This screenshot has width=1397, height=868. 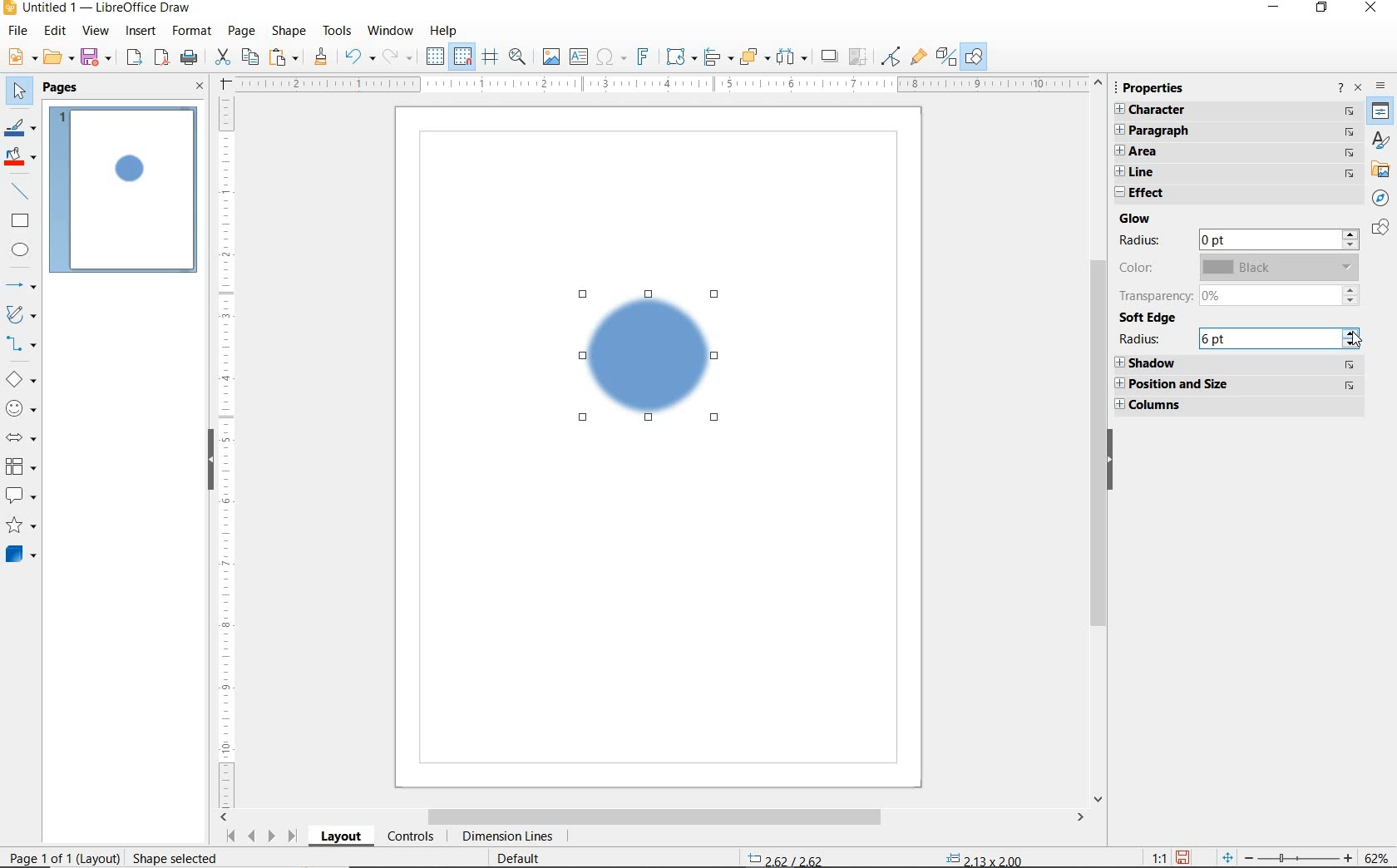 What do you see at coordinates (95, 31) in the screenshot?
I see `VIEW` at bounding box center [95, 31].